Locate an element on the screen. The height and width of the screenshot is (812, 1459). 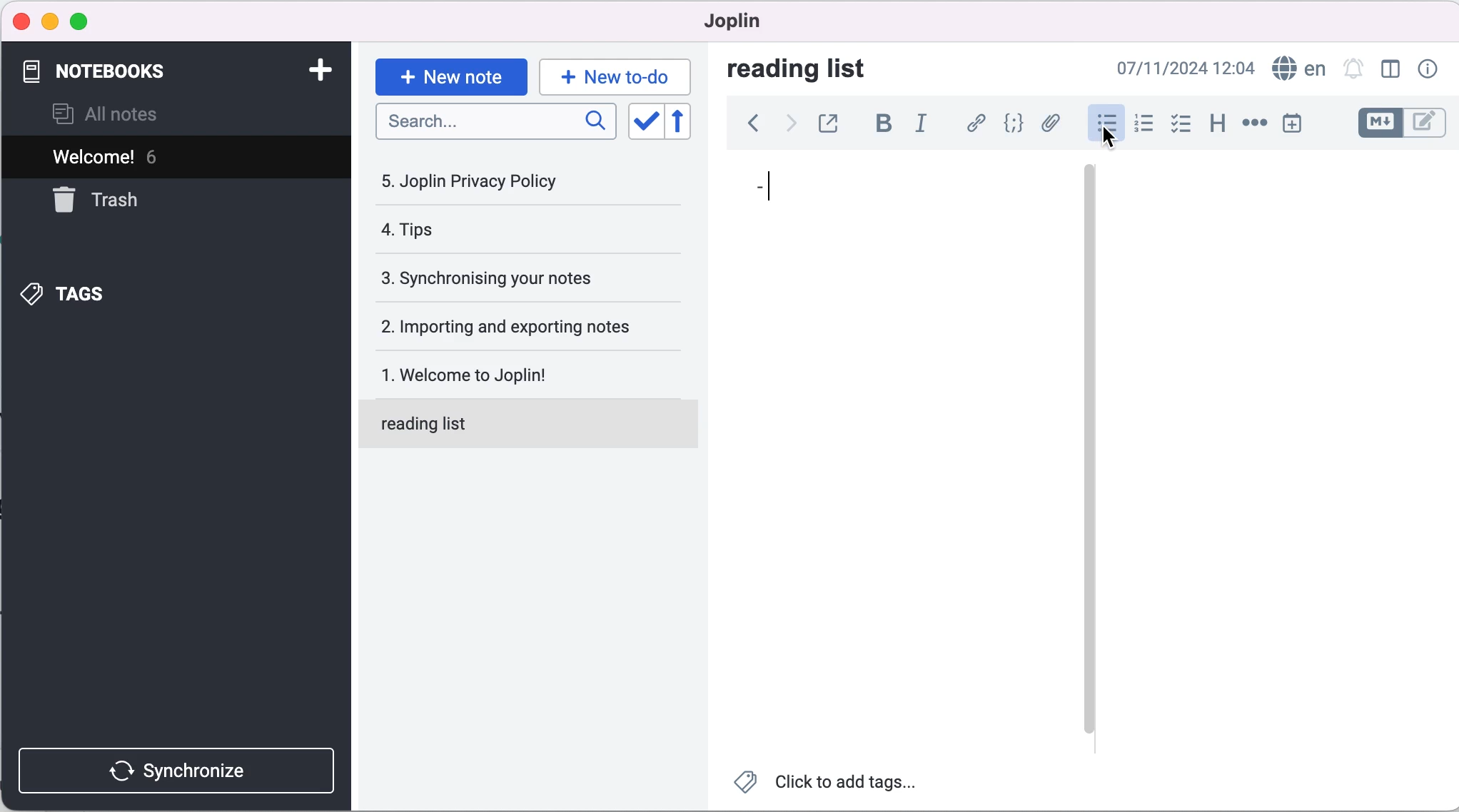
tags is located at coordinates (142, 294).